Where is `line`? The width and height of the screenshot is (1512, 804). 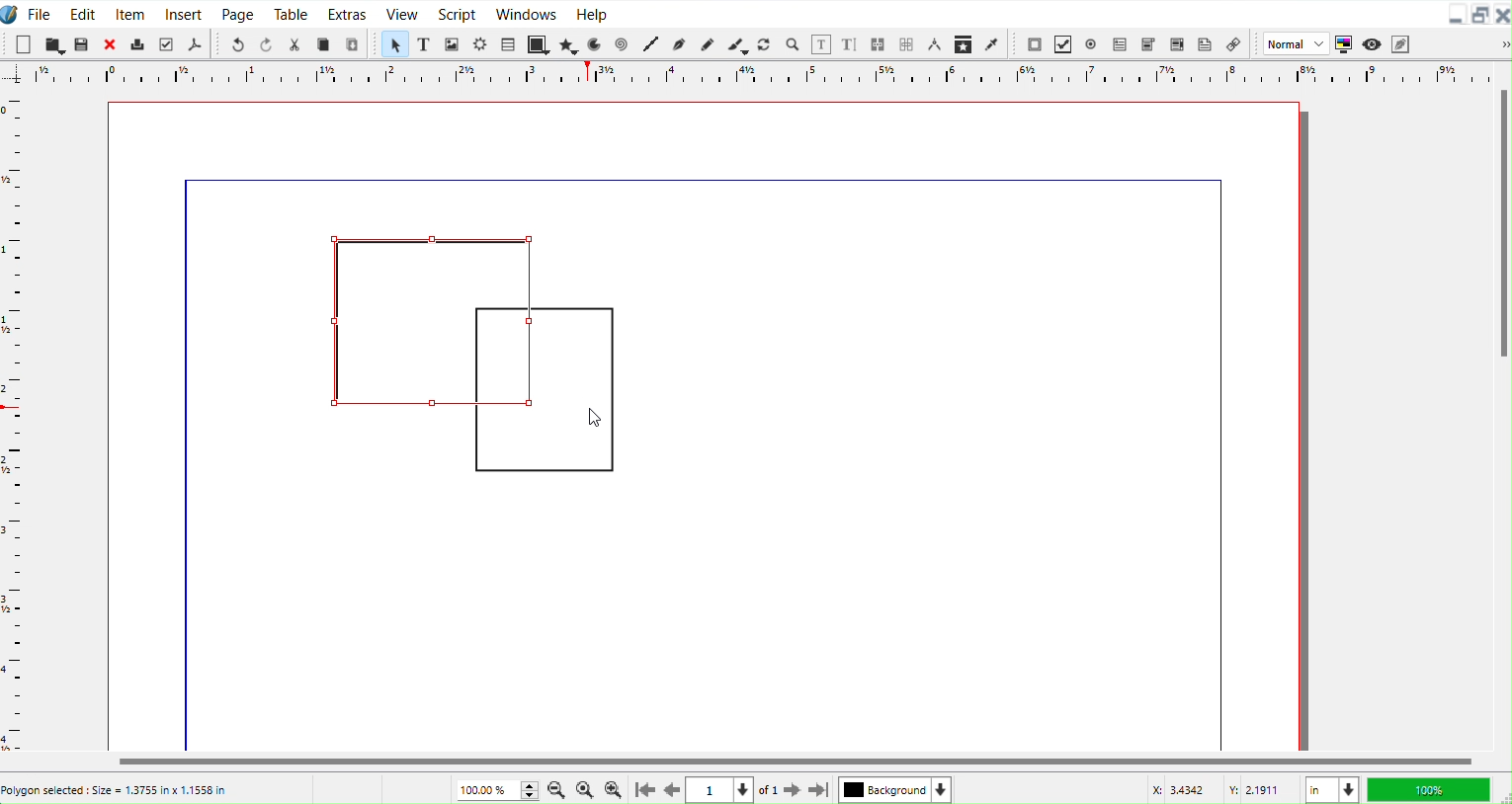
line is located at coordinates (191, 470).